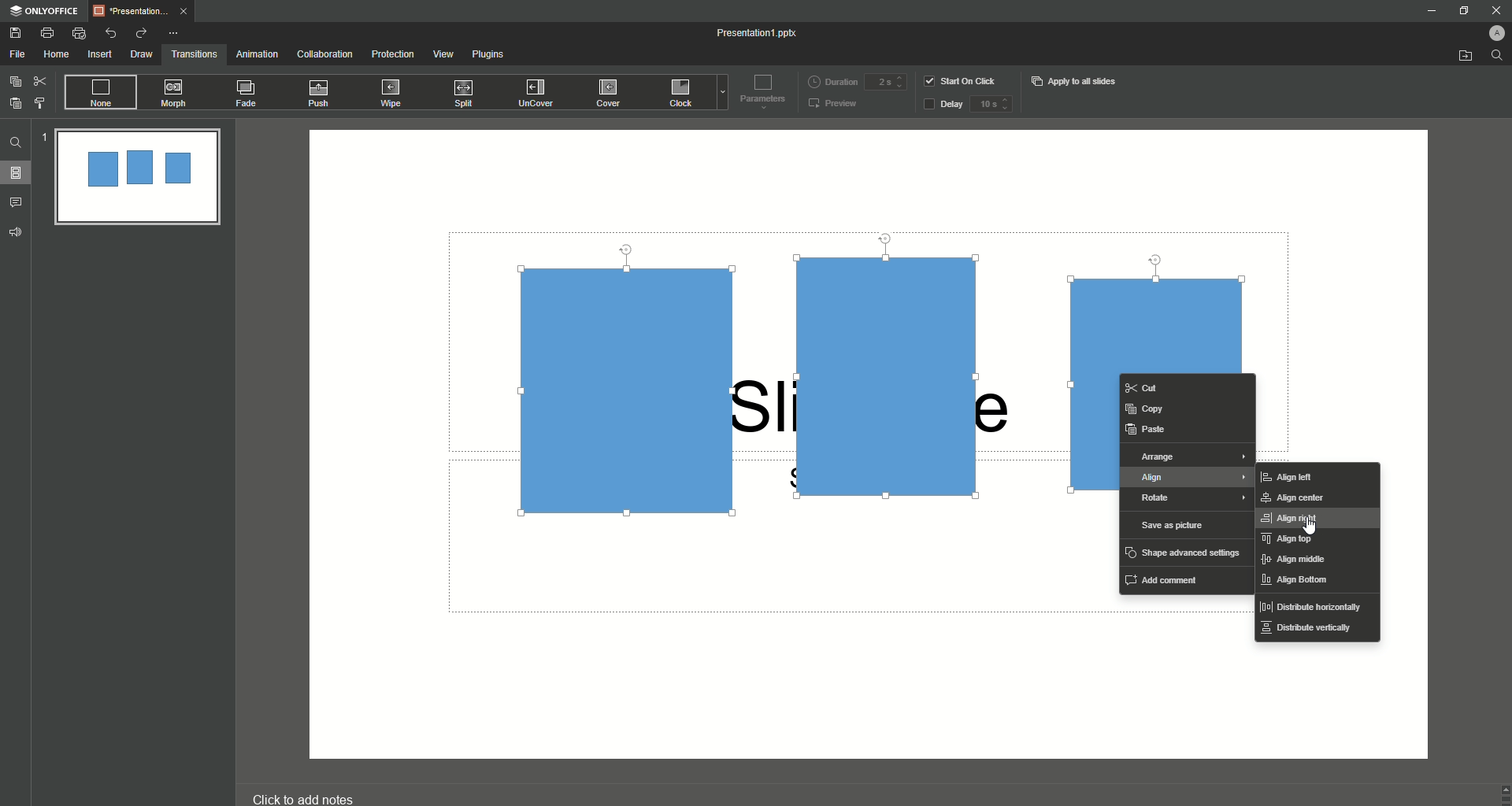  I want to click on Copy, so click(15, 81).